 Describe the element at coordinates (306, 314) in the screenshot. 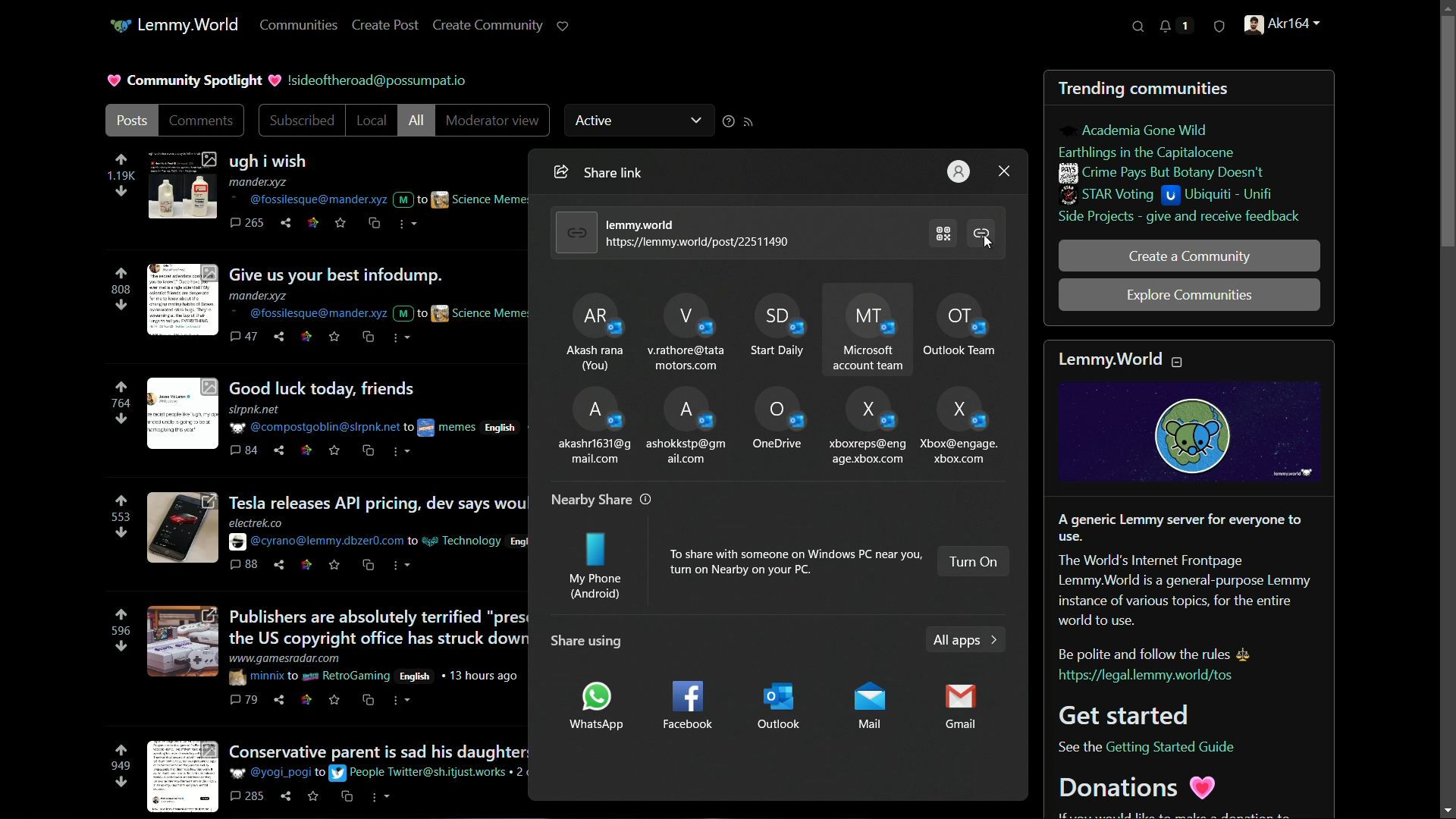

I see `@fossilesque@mander.xyz` at that location.